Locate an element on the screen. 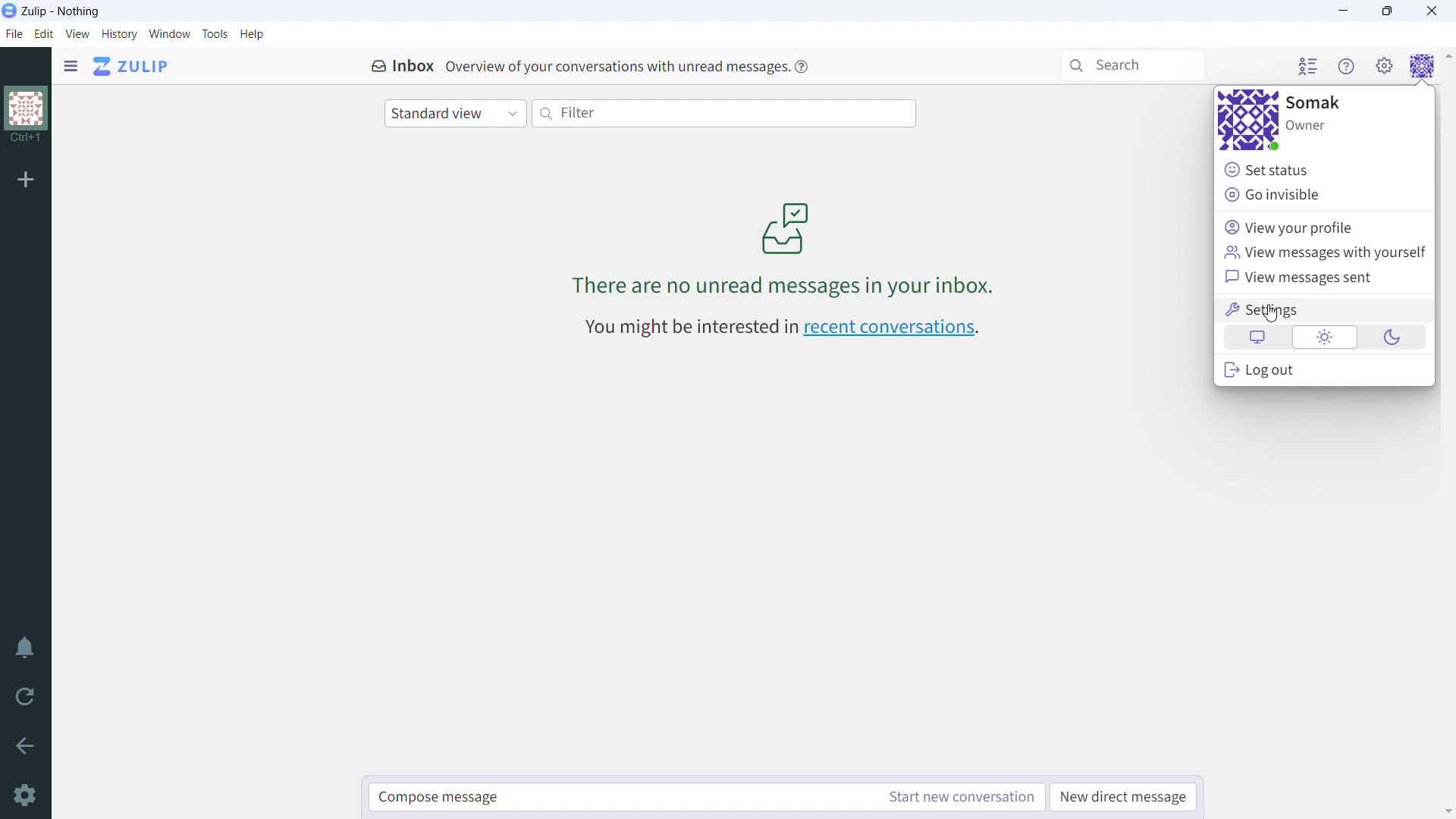 The width and height of the screenshot is (1456, 819). close is located at coordinates (1432, 11).